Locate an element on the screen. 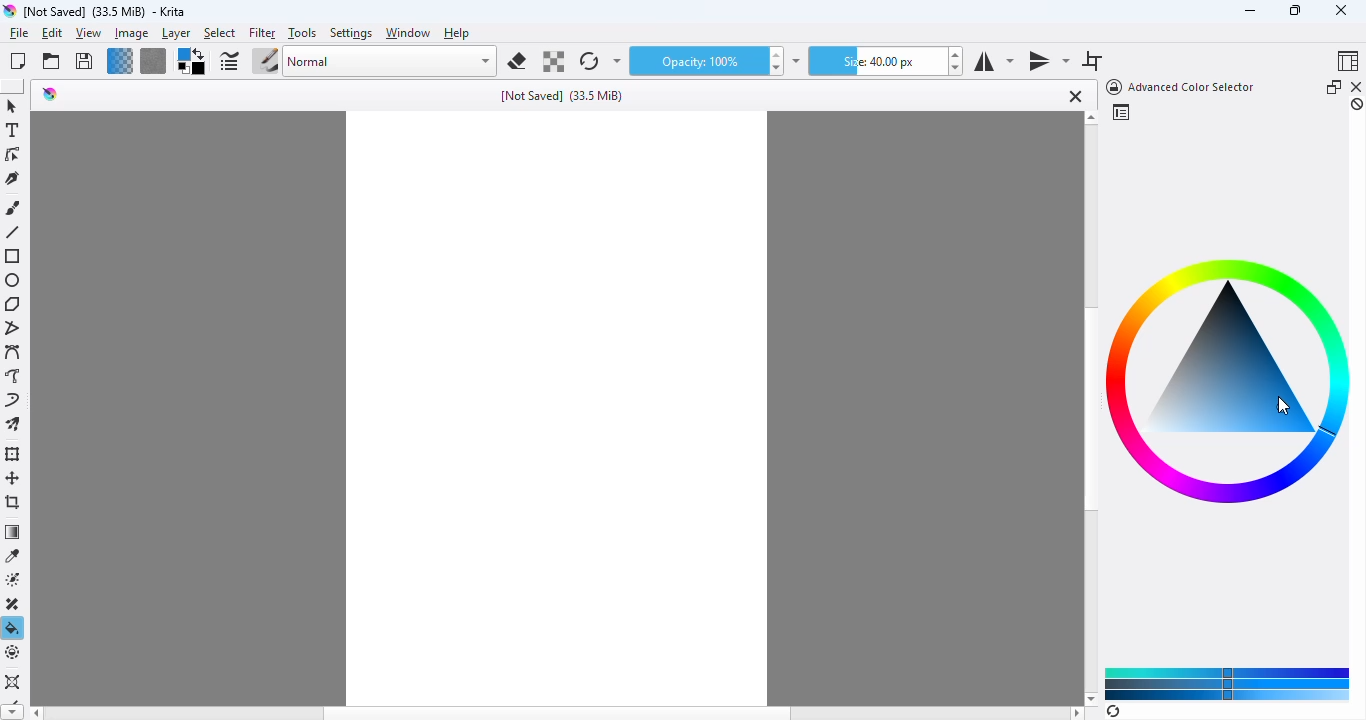  float docker is located at coordinates (1334, 86).